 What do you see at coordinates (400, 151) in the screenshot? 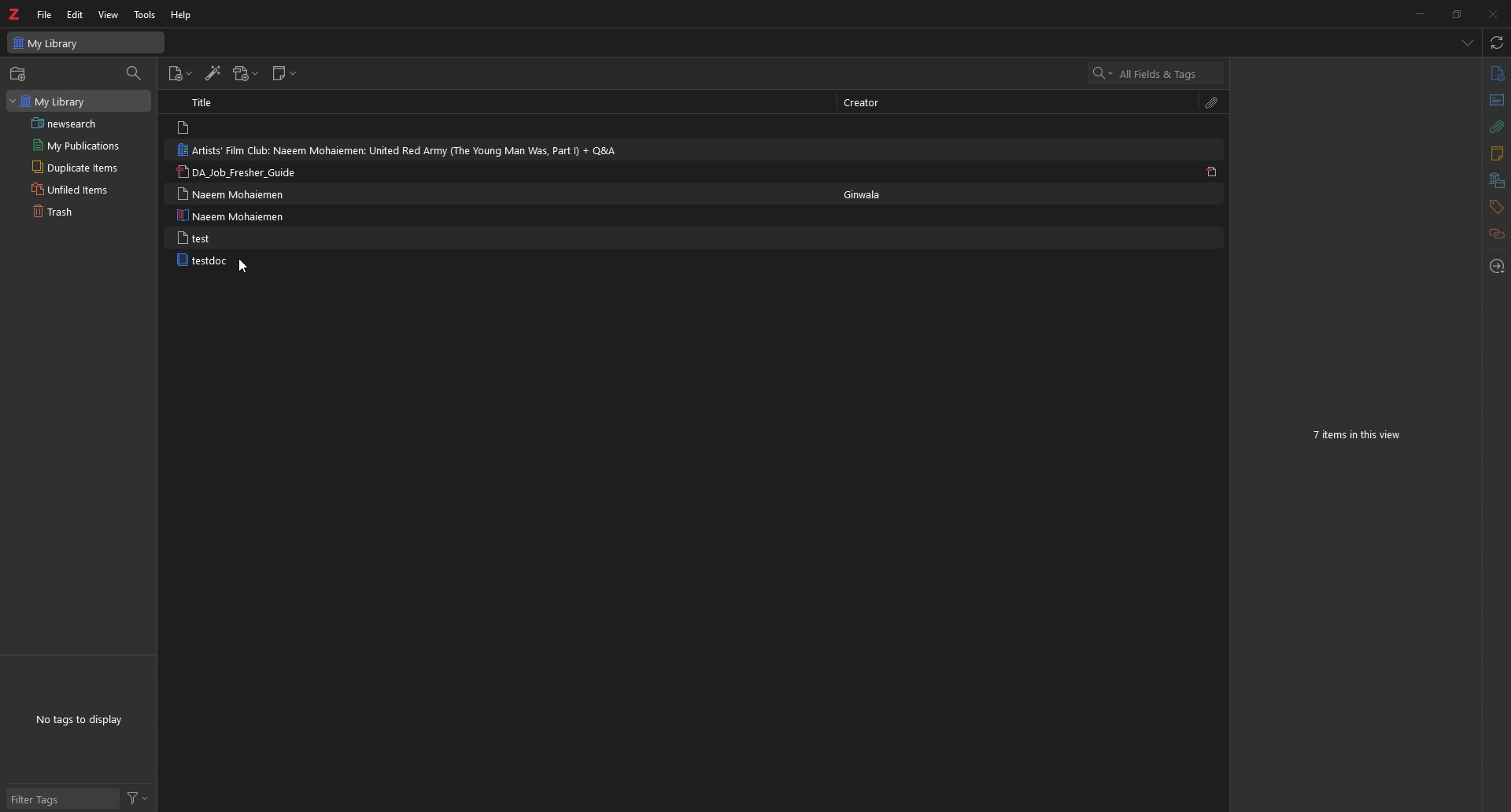
I see `Artists' Film Club: Naeem Mohaiemen: United Red Army (The Young Man Was, Part I) + Q&A` at bounding box center [400, 151].